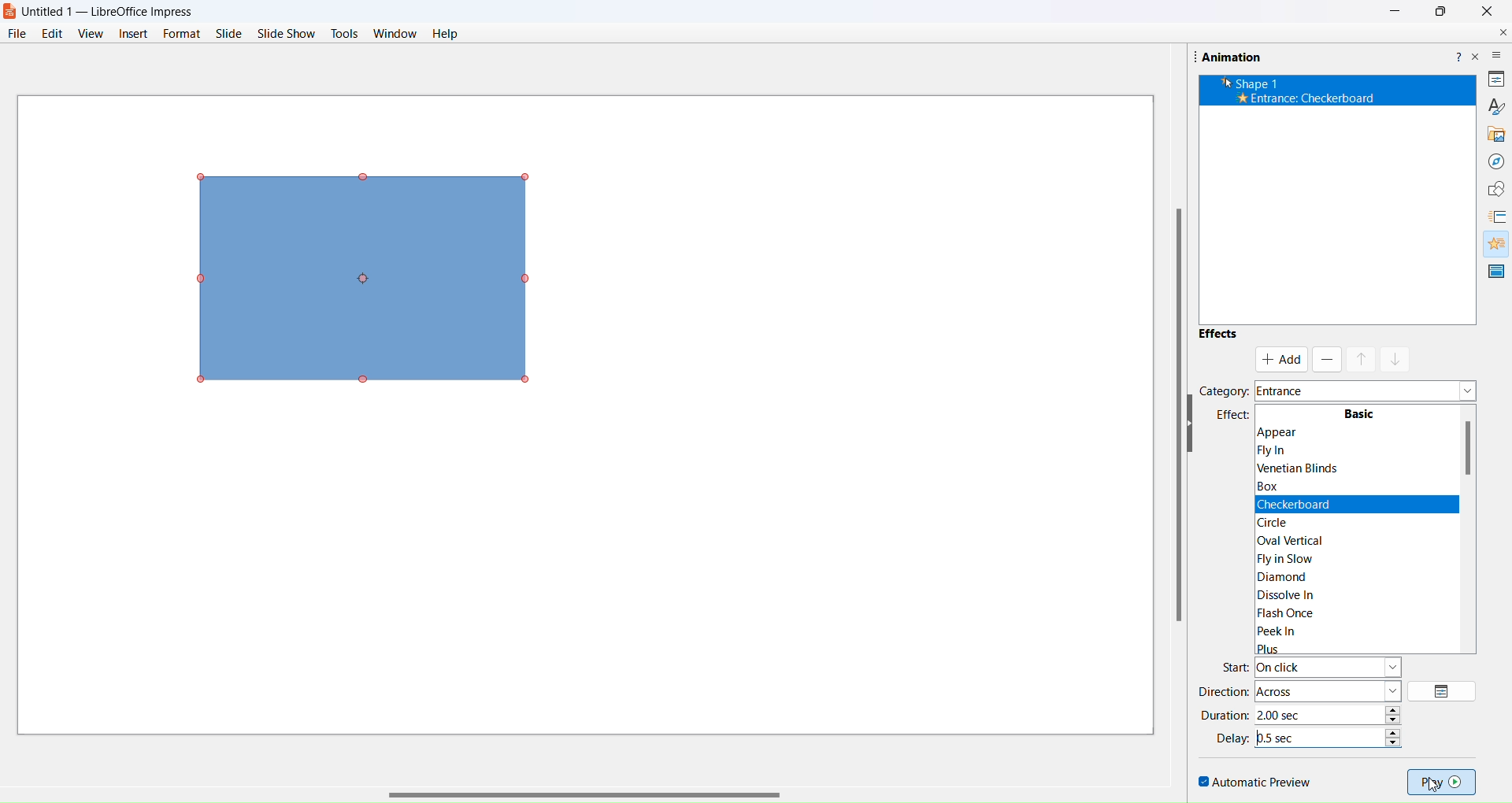 The width and height of the screenshot is (1512, 803). I want to click on object, so click(374, 276).